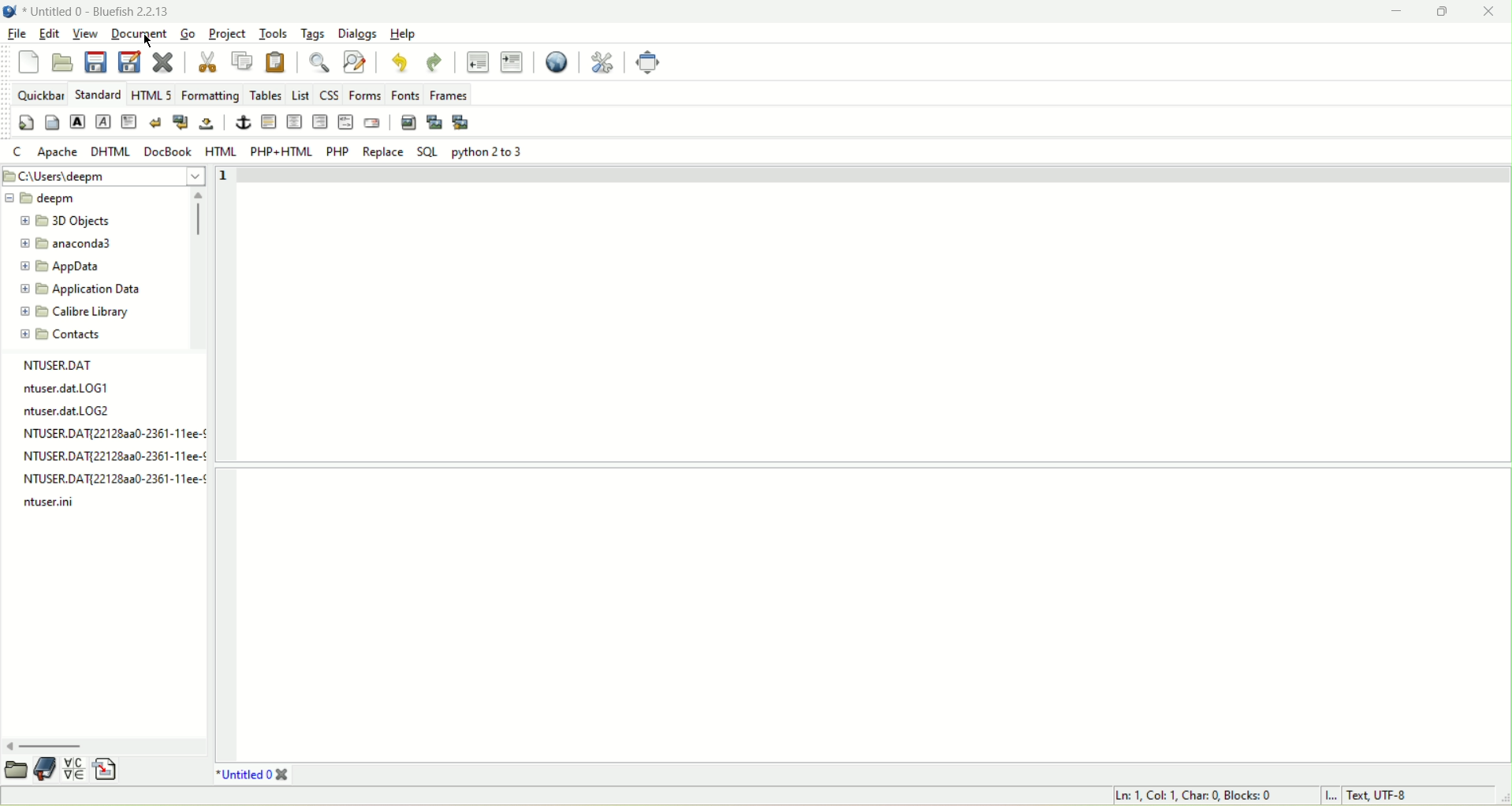 This screenshot has width=1512, height=806. Describe the element at coordinates (98, 95) in the screenshot. I see `standard` at that location.